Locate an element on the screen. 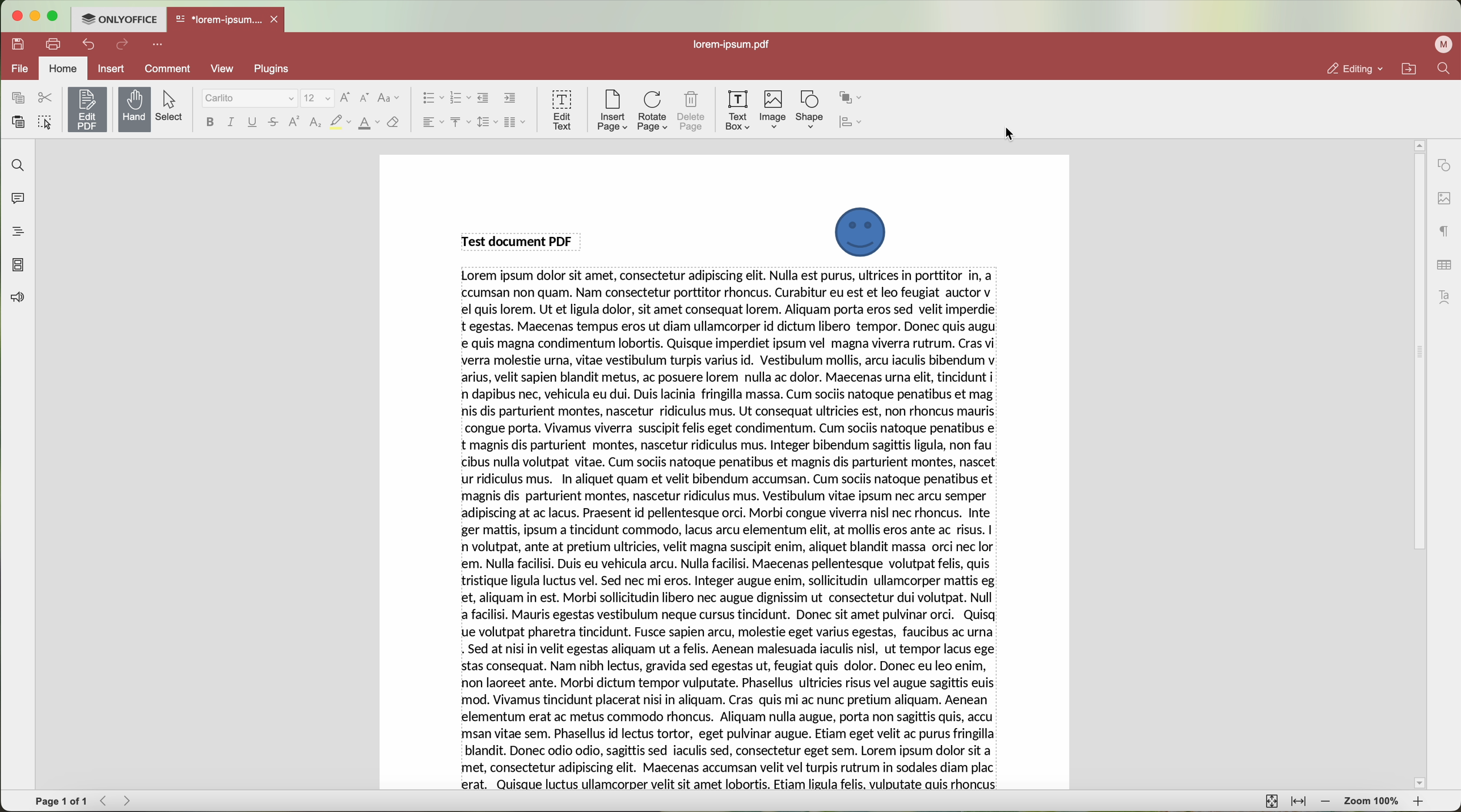  close program is located at coordinates (18, 16).